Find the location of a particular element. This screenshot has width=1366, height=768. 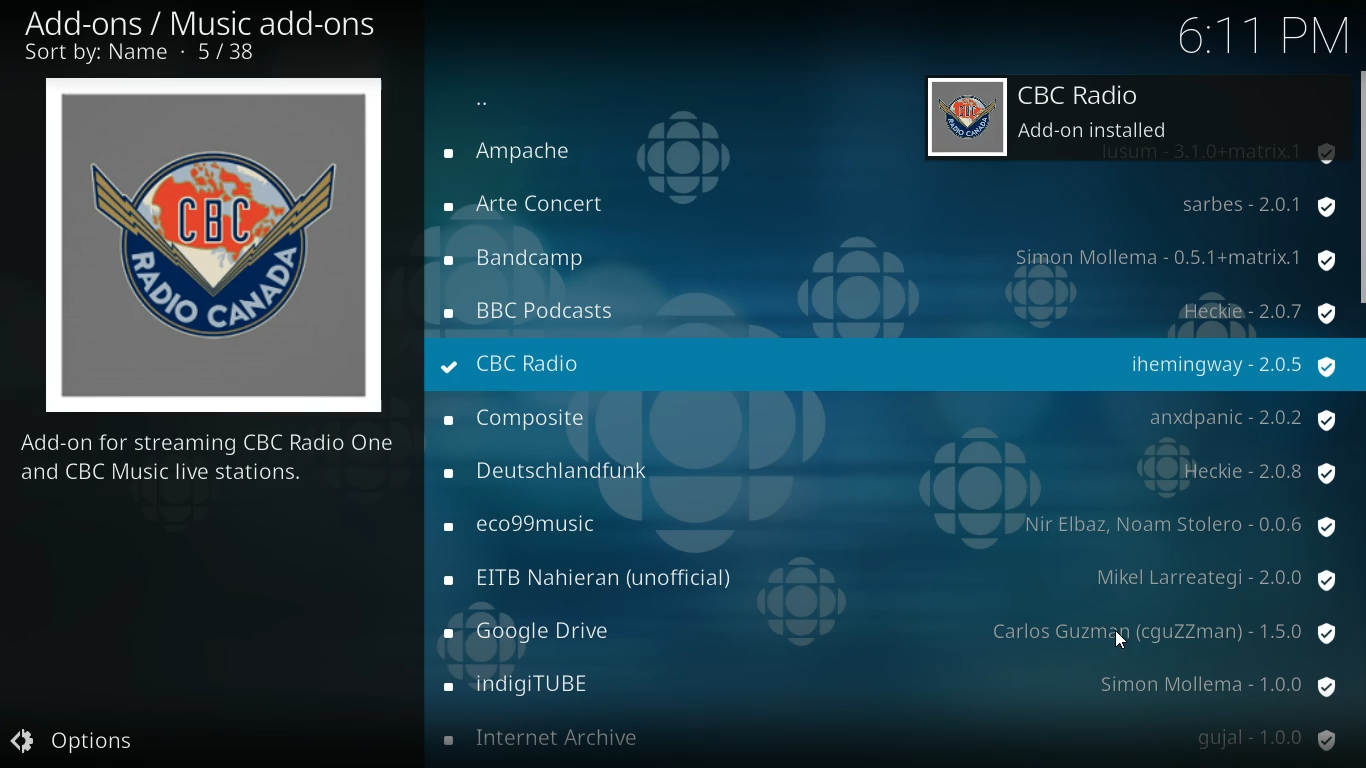

radio name is located at coordinates (534, 363).